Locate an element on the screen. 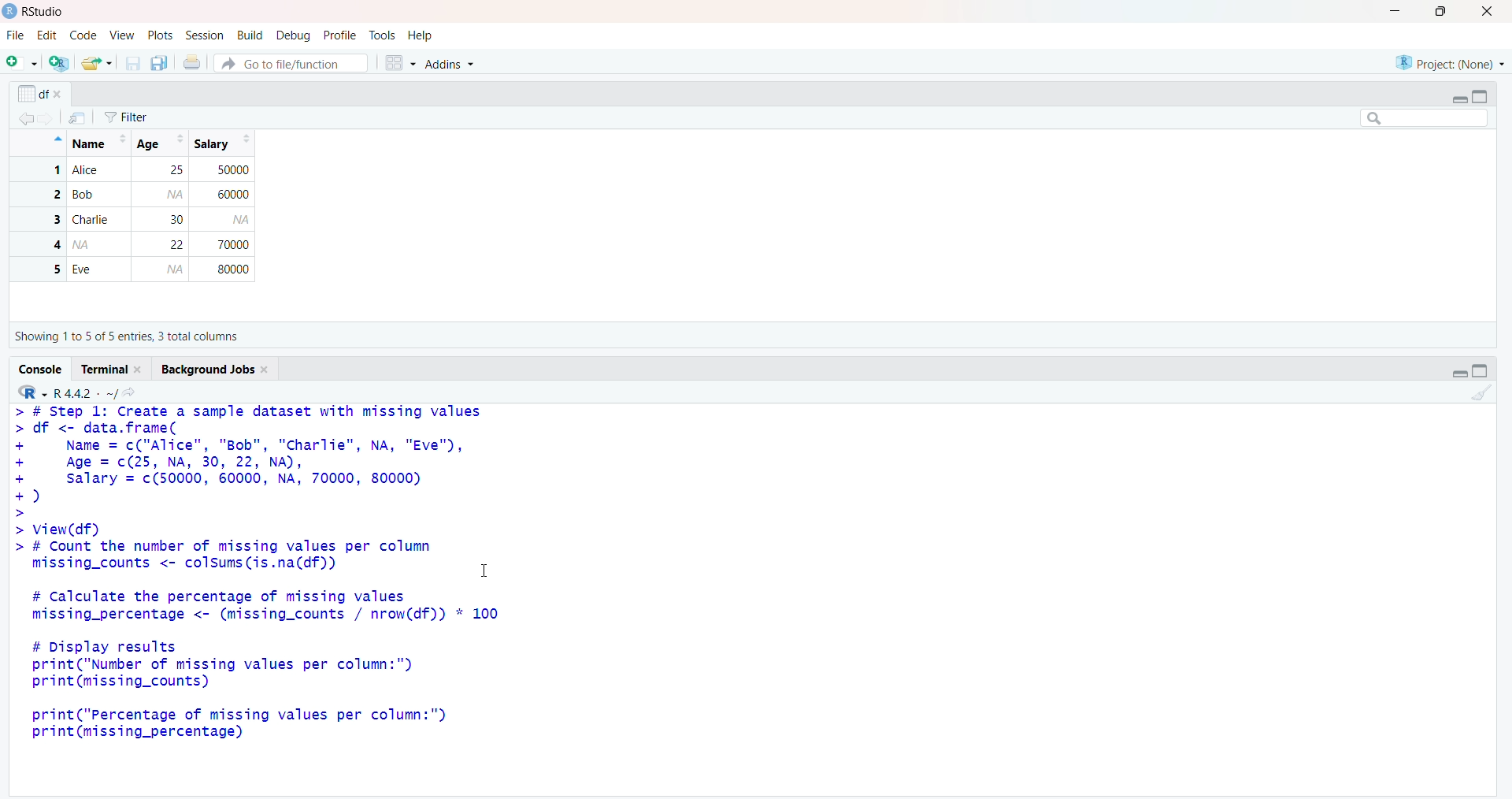 The image size is (1512, 799). File is located at coordinates (16, 35).